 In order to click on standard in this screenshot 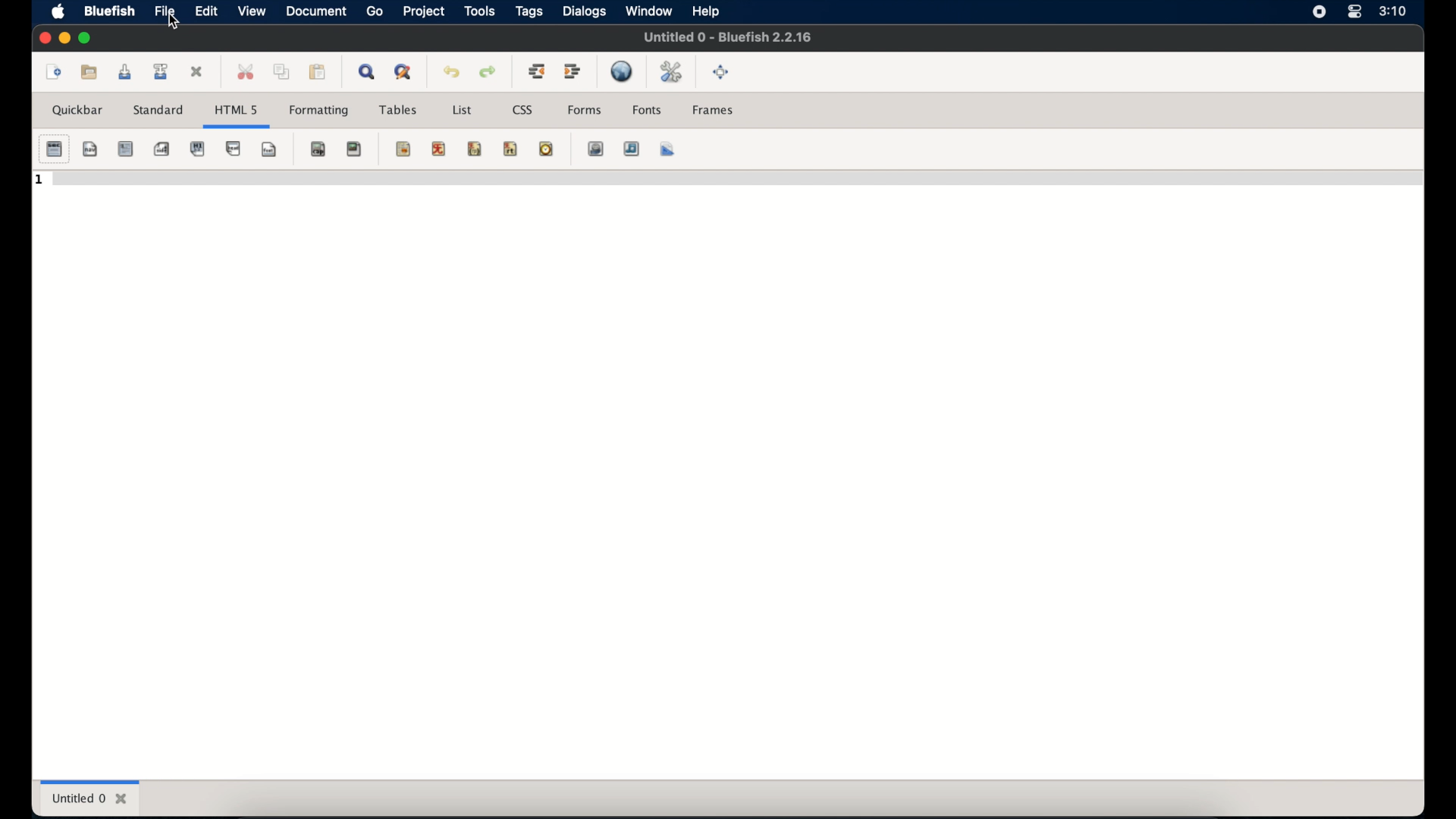, I will do `click(158, 116)`.